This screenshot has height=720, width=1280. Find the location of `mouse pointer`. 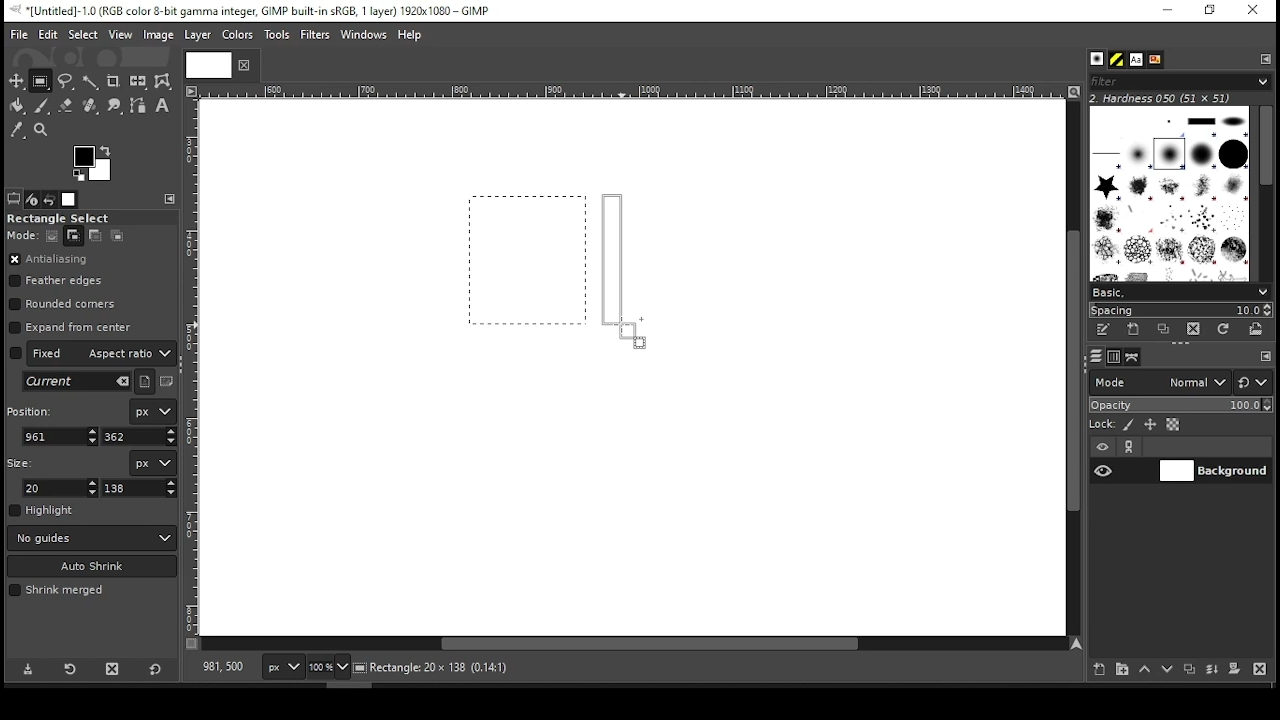

mouse pointer is located at coordinates (630, 333).